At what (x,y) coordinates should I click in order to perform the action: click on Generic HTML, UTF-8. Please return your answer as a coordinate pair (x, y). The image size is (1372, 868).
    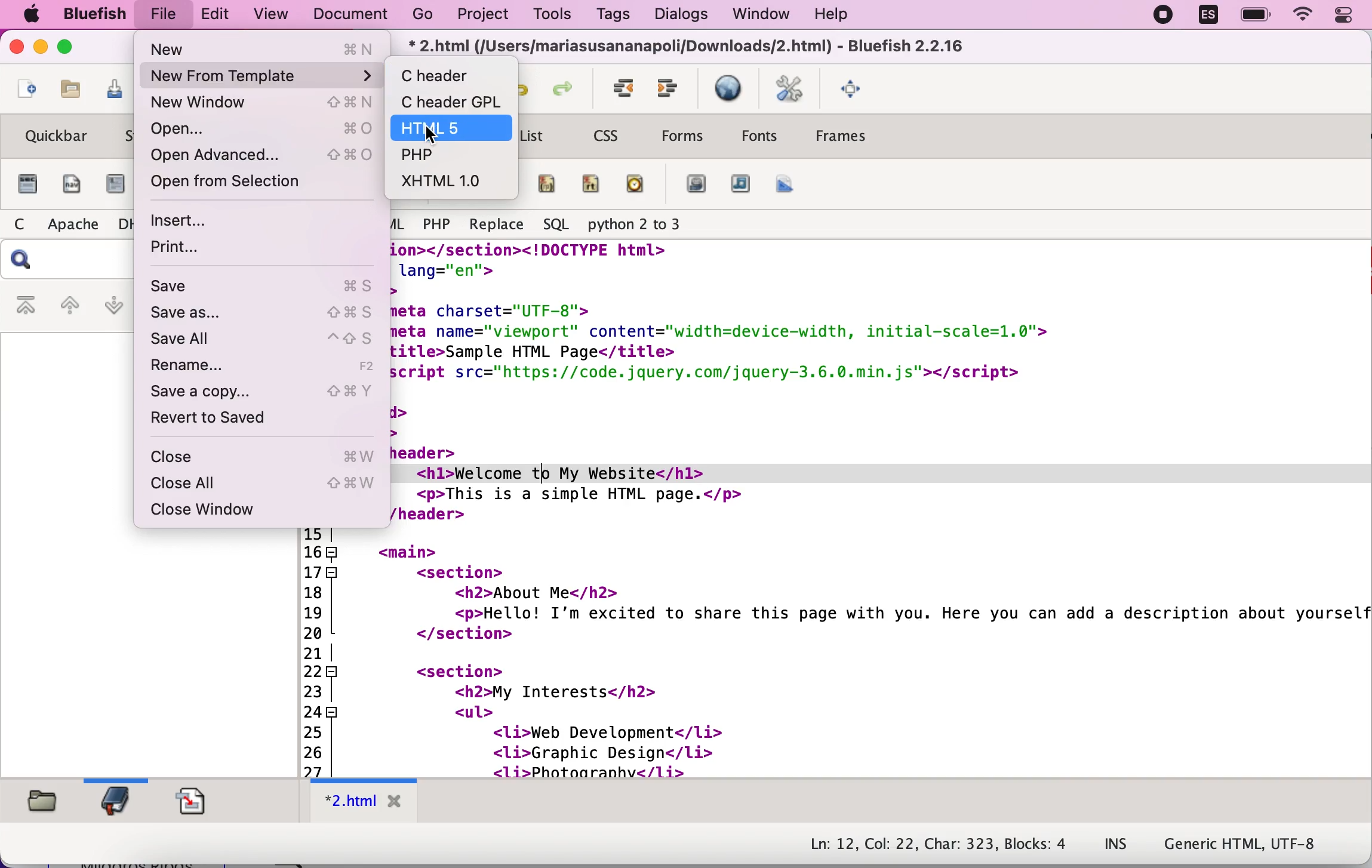
    Looking at the image, I should click on (1238, 838).